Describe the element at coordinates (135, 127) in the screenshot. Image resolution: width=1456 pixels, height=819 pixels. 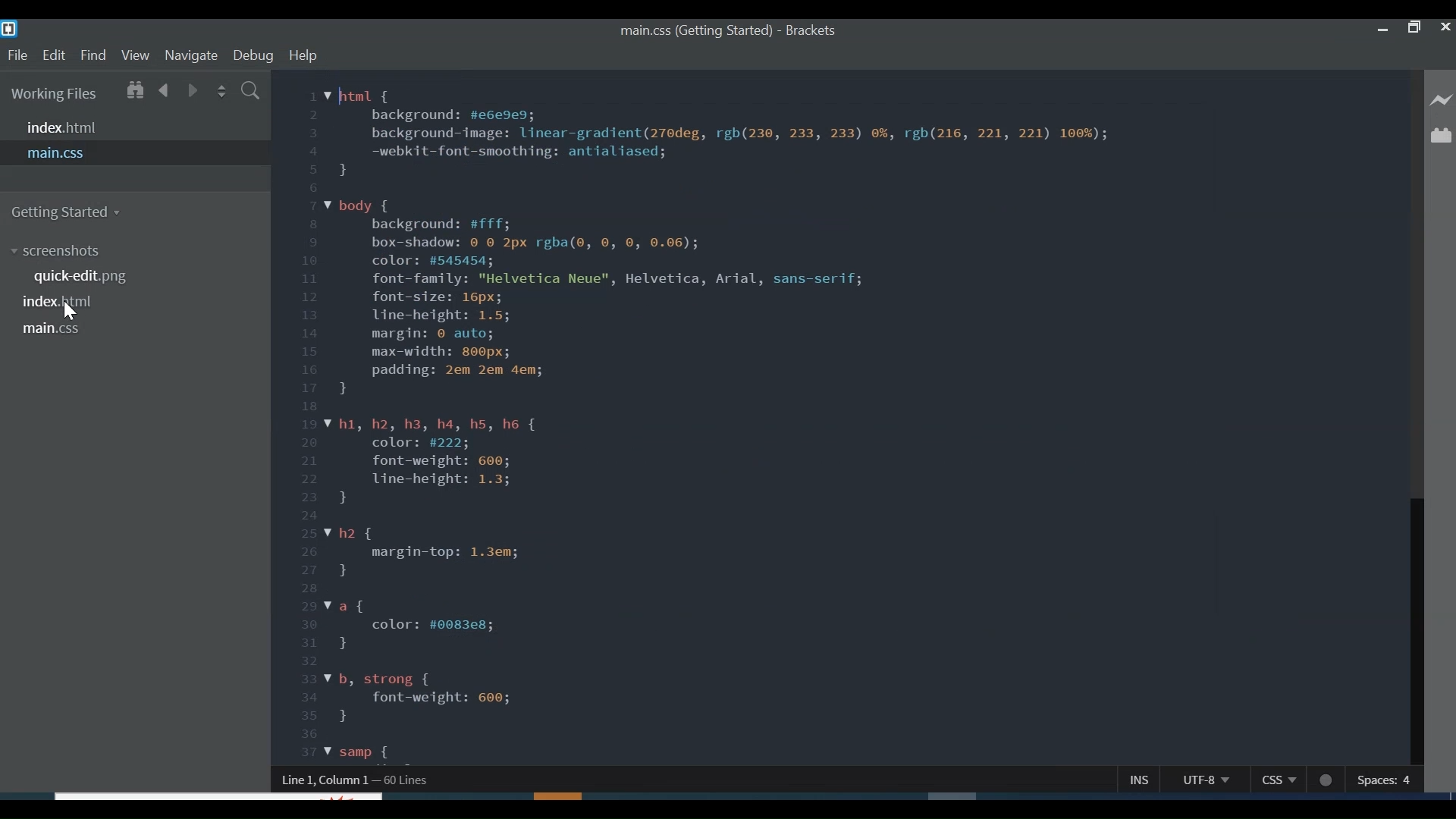
I see `index.html` at that location.